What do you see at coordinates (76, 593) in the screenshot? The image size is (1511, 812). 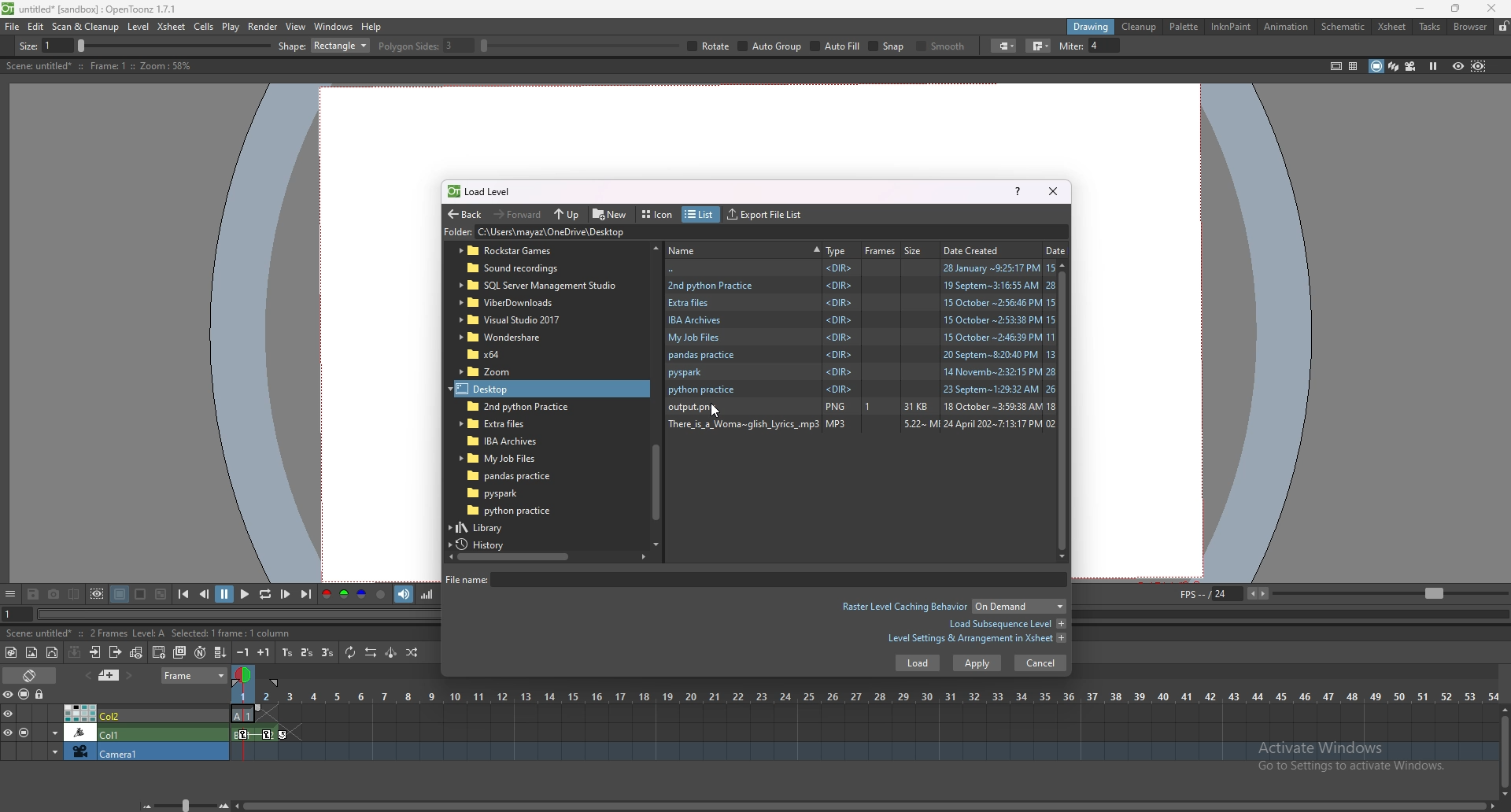 I see `compare to snapshot` at bounding box center [76, 593].